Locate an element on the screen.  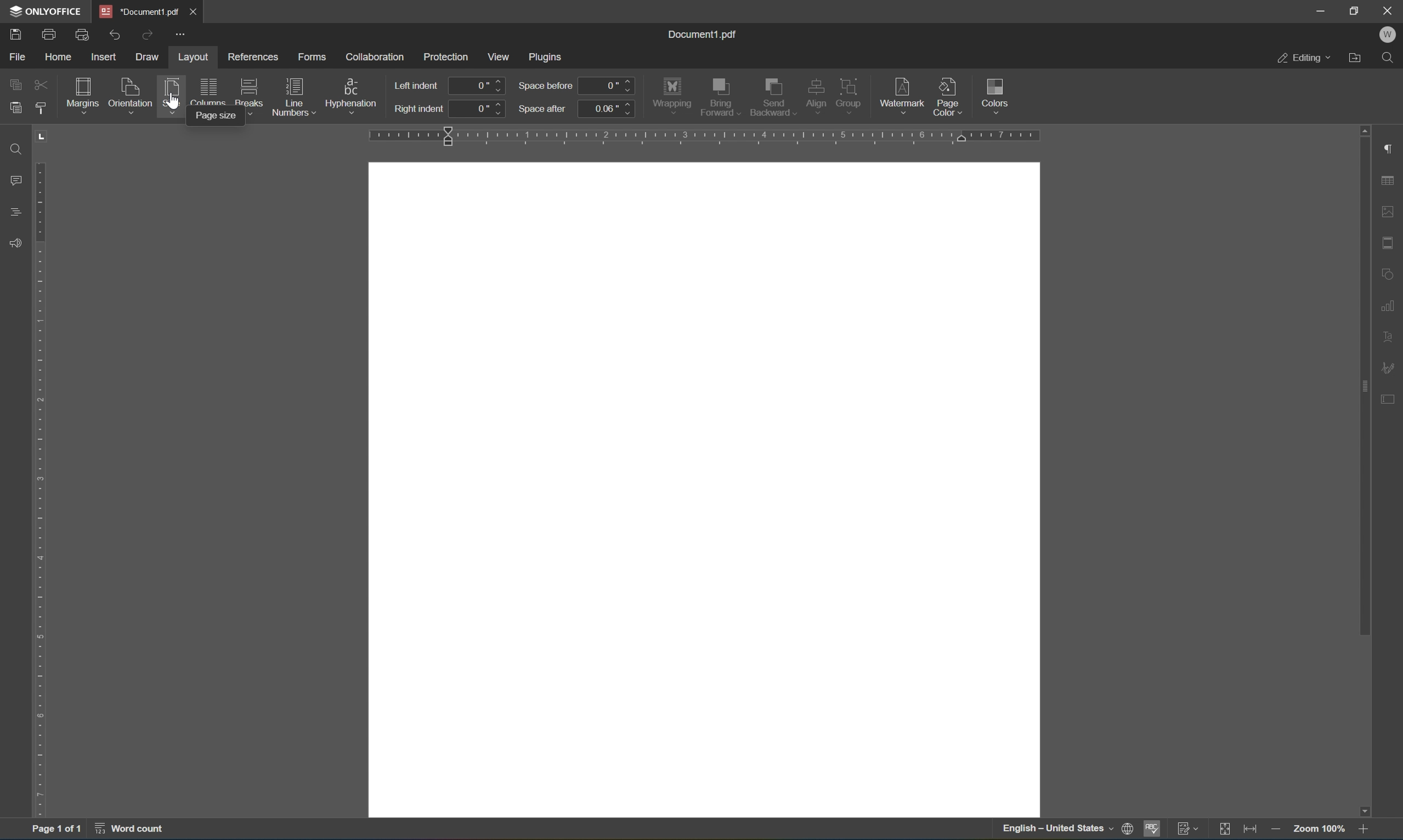
editing is located at coordinates (1303, 59).